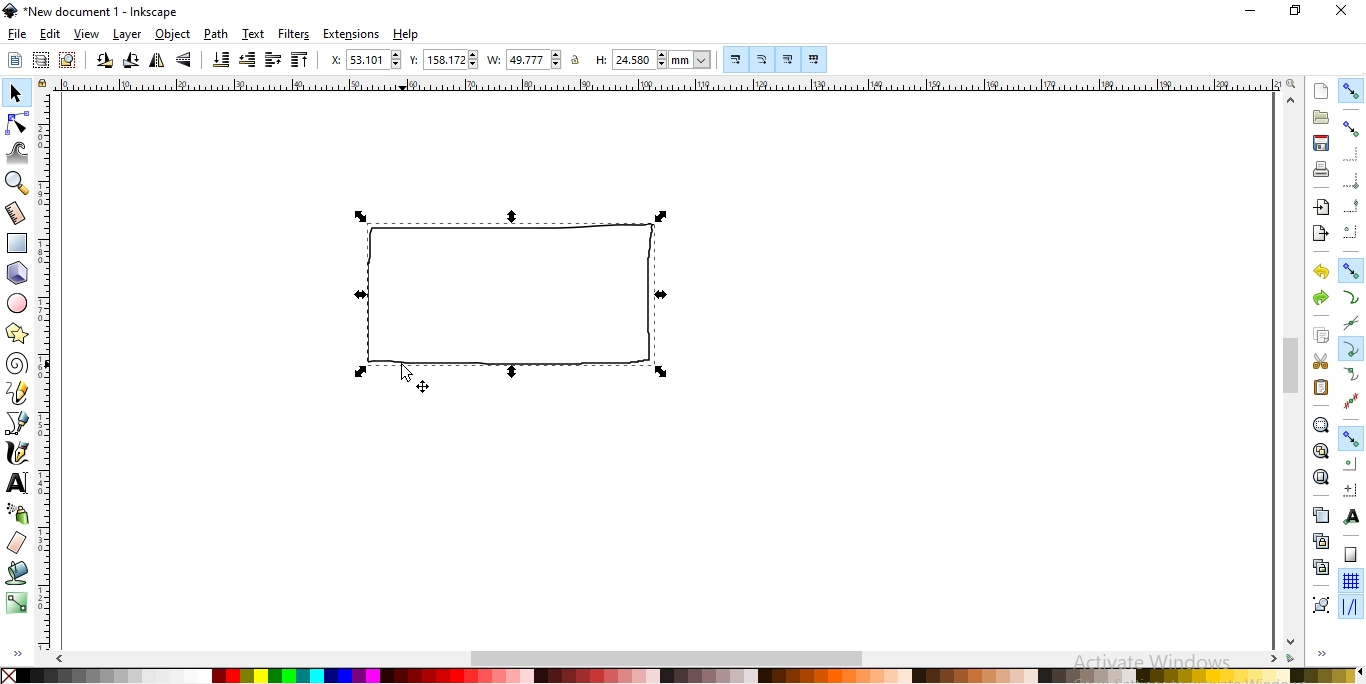 This screenshot has width=1366, height=684. What do you see at coordinates (1350, 348) in the screenshot?
I see `snap cusp nodes` at bounding box center [1350, 348].